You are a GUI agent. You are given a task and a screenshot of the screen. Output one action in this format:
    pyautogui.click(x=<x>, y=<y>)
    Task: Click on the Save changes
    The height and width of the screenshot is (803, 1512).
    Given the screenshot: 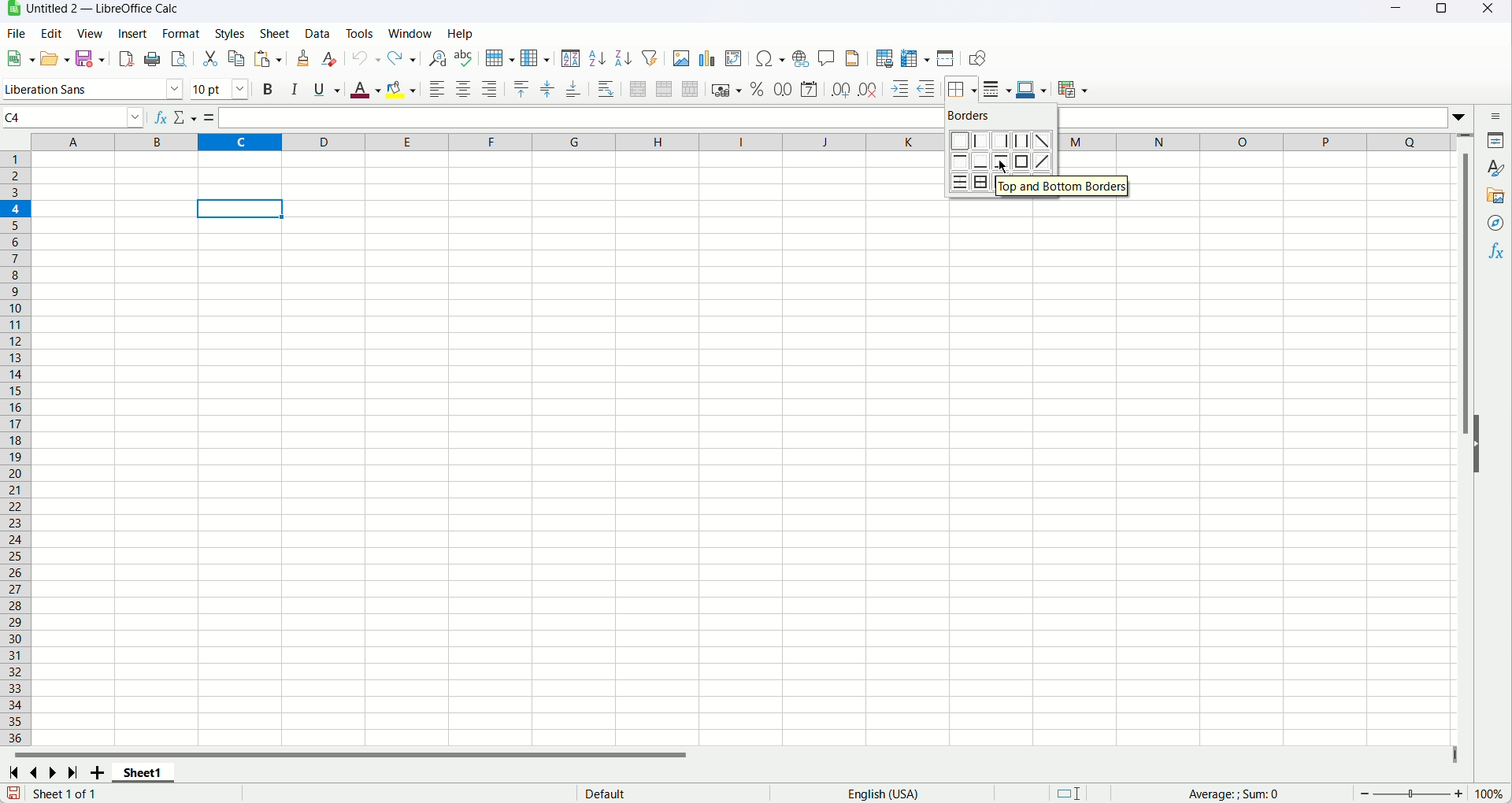 What is the action you would take?
    pyautogui.click(x=11, y=792)
    